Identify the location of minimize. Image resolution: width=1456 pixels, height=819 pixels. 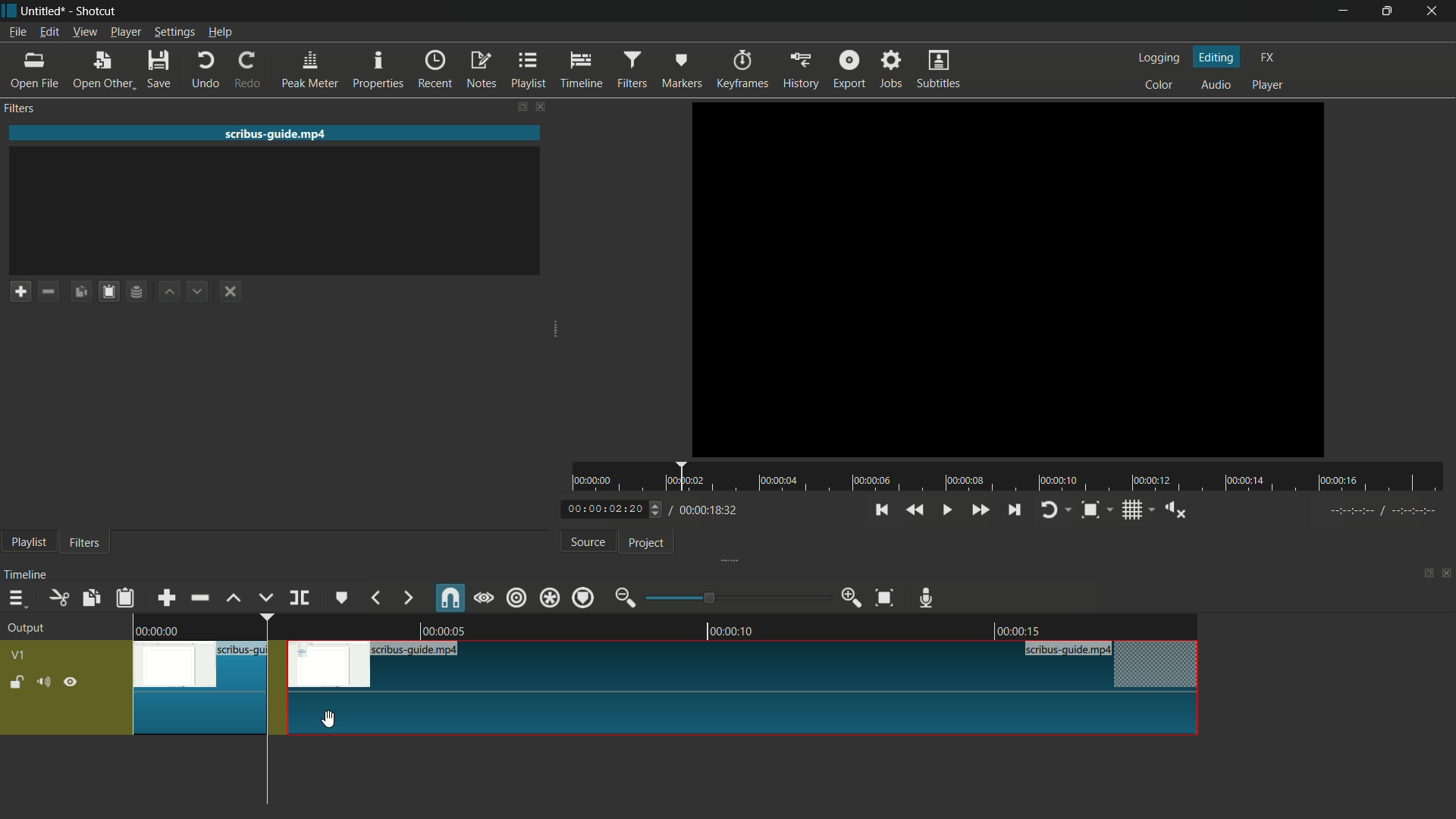
(1344, 11).